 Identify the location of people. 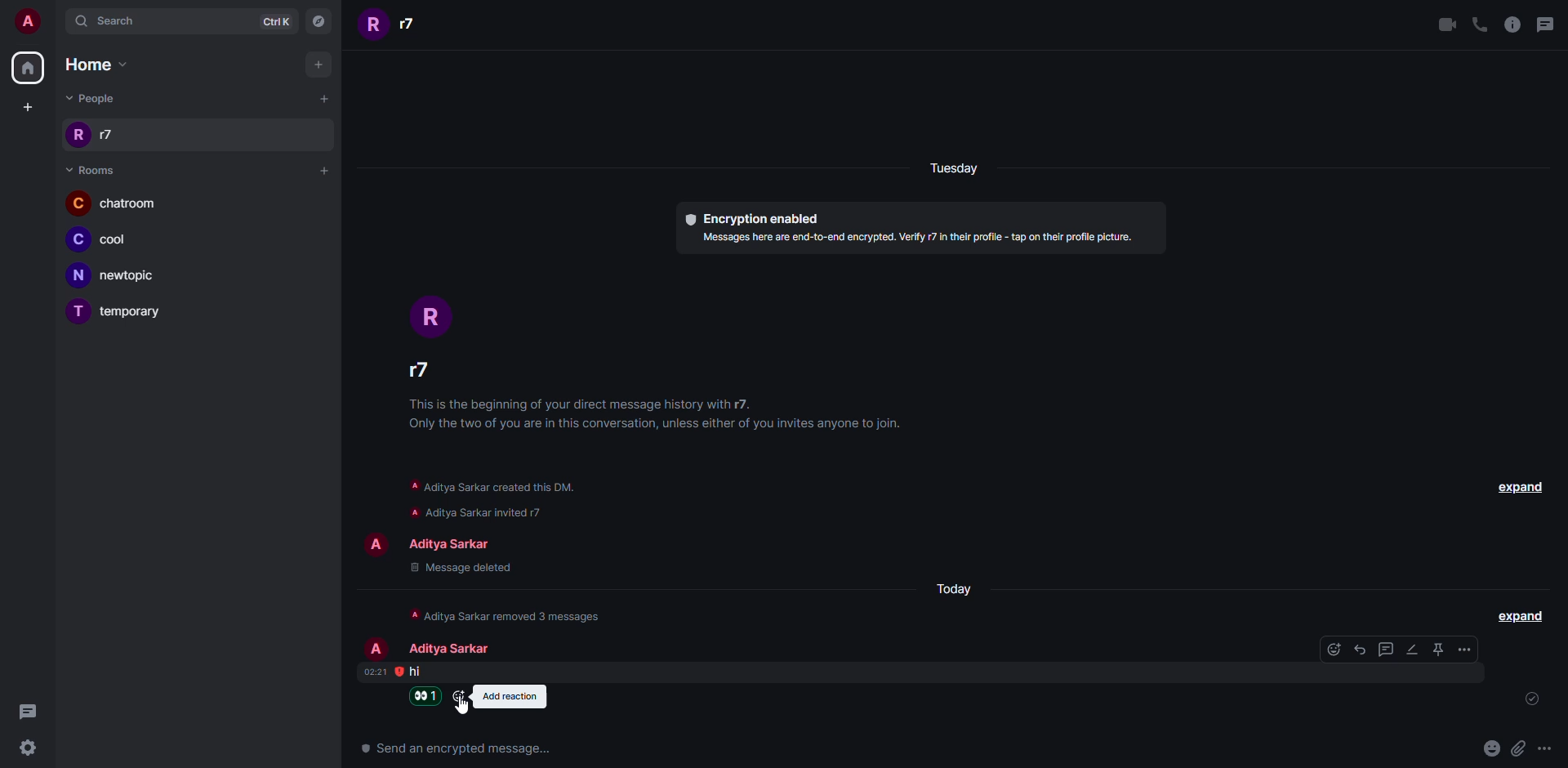
(452, 649).